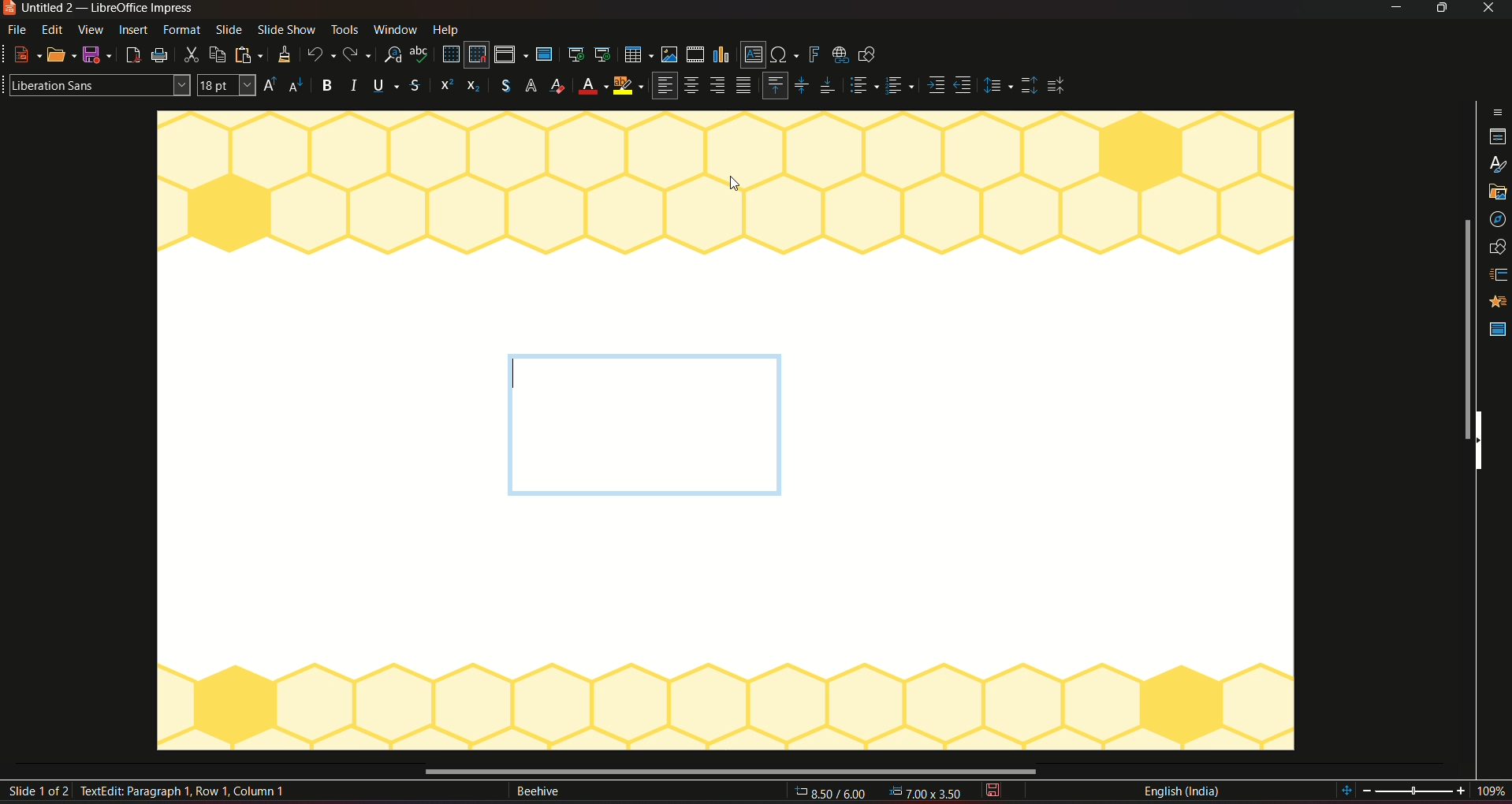 The image size is (1512, 804). Describe the element at coordinates (557, 86) in the screenshot. I see `Font color` at that location.